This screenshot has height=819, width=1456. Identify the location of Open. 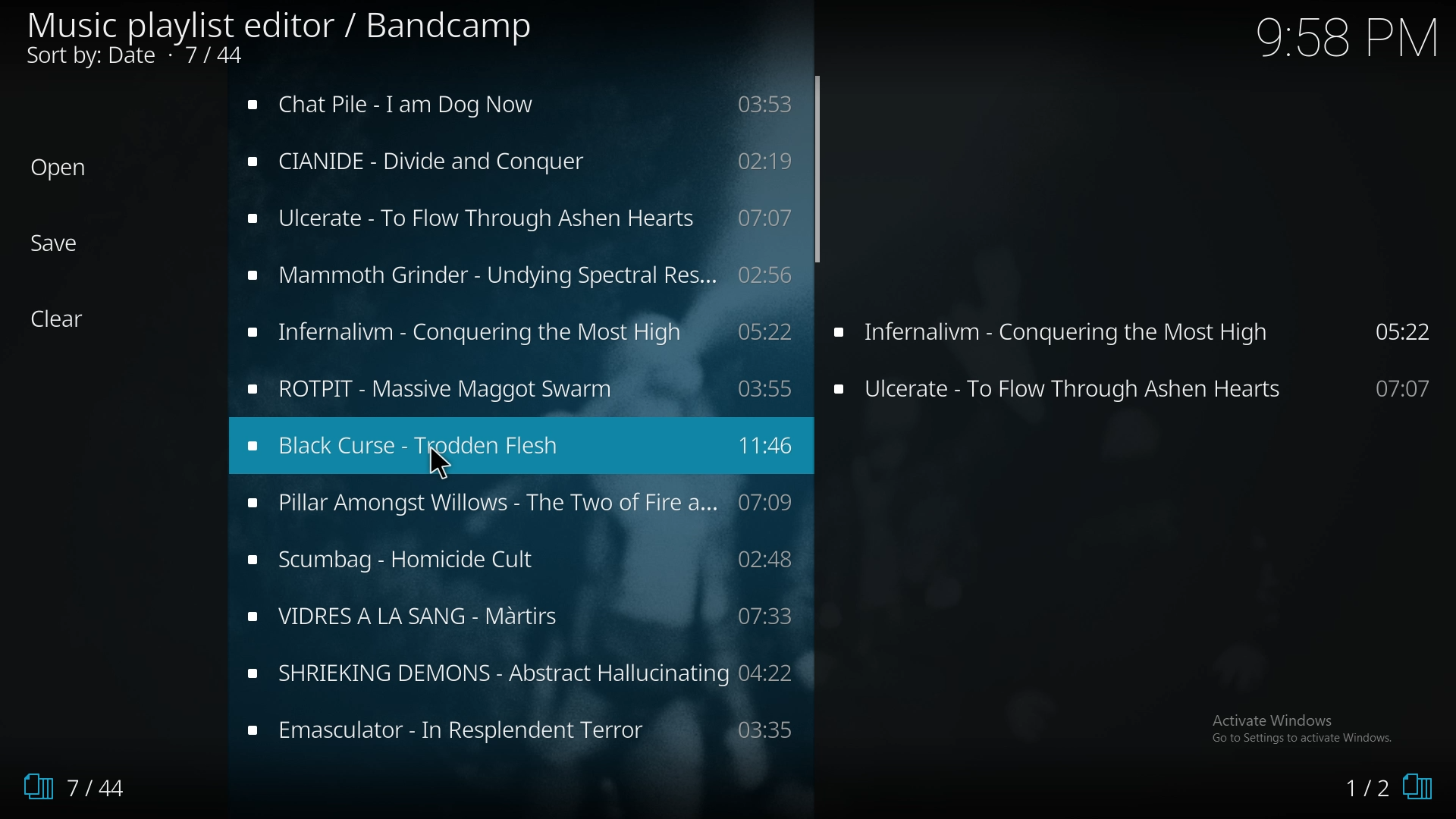
(59, 168).